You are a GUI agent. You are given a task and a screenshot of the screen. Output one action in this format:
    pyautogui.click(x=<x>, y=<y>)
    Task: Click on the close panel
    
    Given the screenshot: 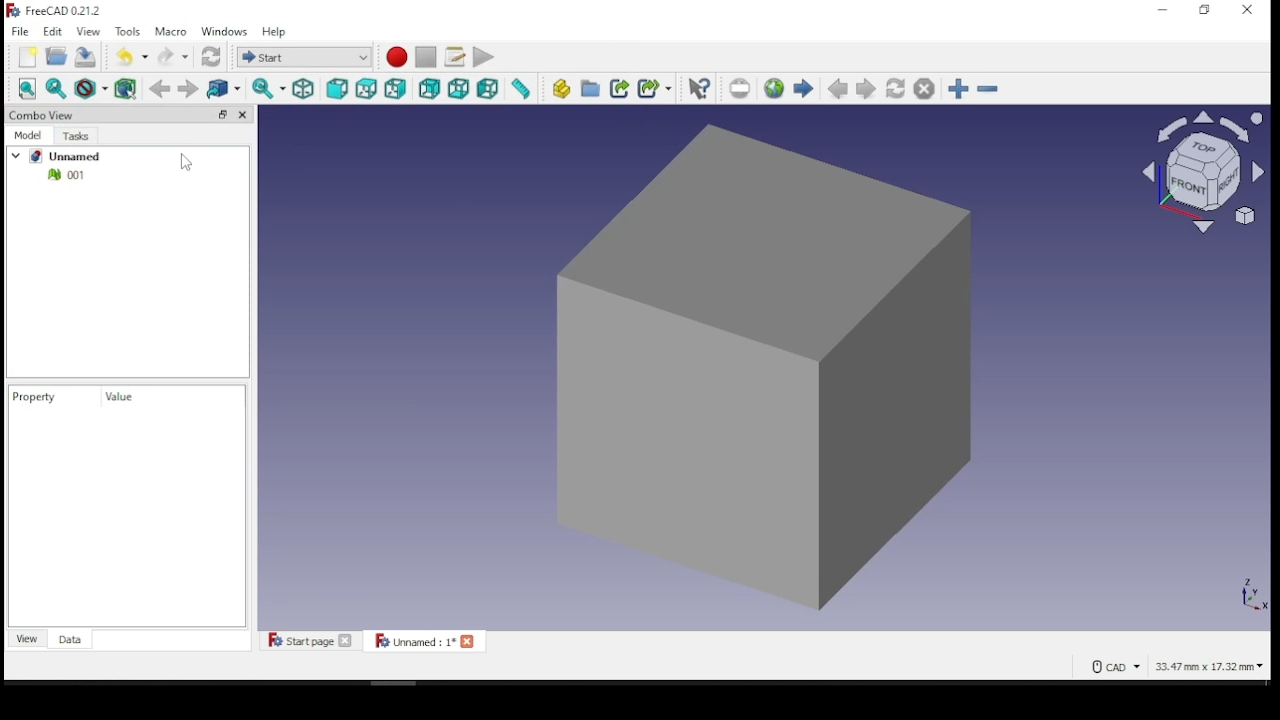 What is the action you would take?
    pyautogui.click(x=245, y=115)
    